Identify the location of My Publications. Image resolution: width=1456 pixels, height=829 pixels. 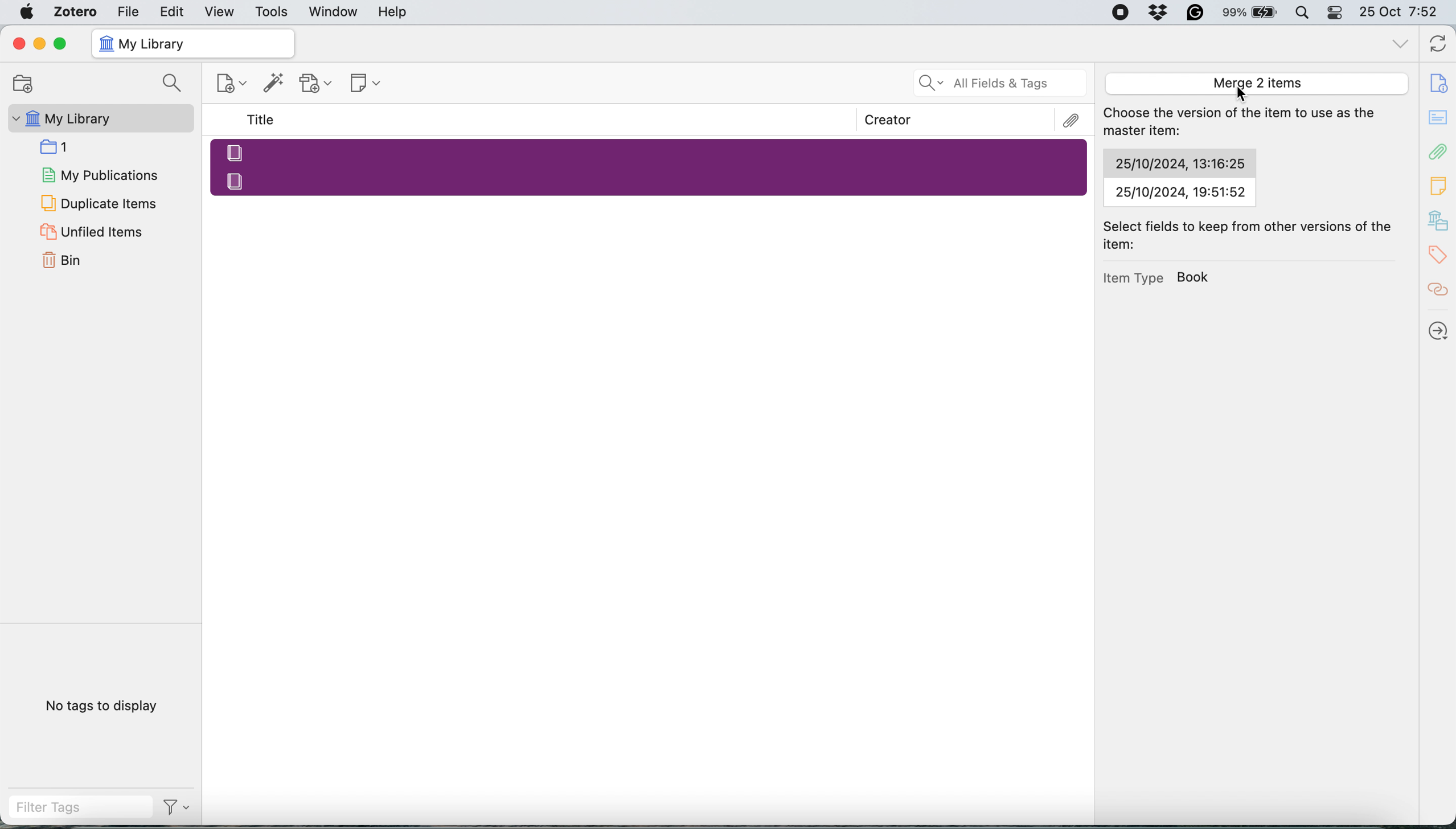
(99, 173).